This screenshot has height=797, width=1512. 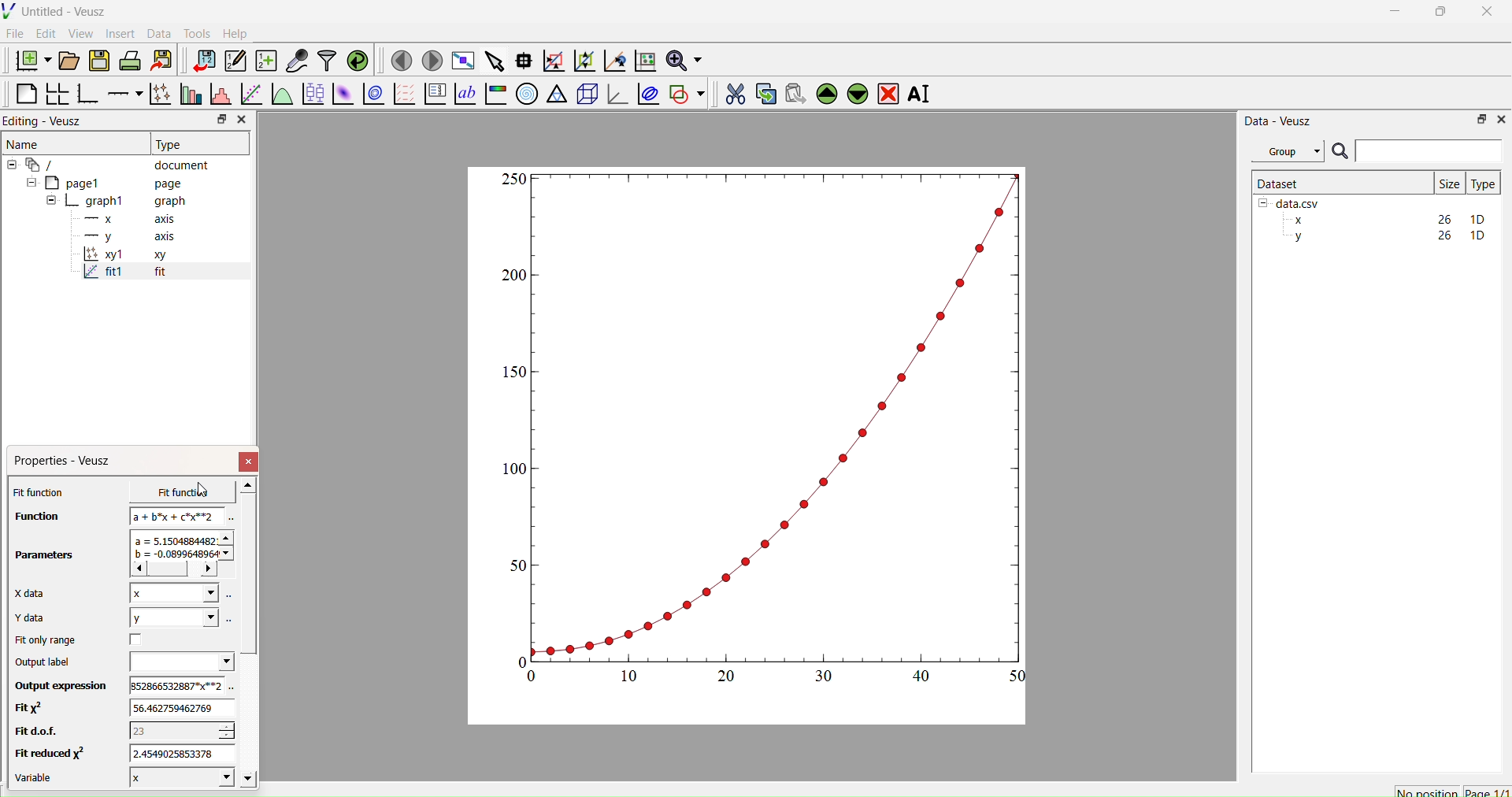 I want to click on a+b*x+c*x**2, so click(x=172, y=516).